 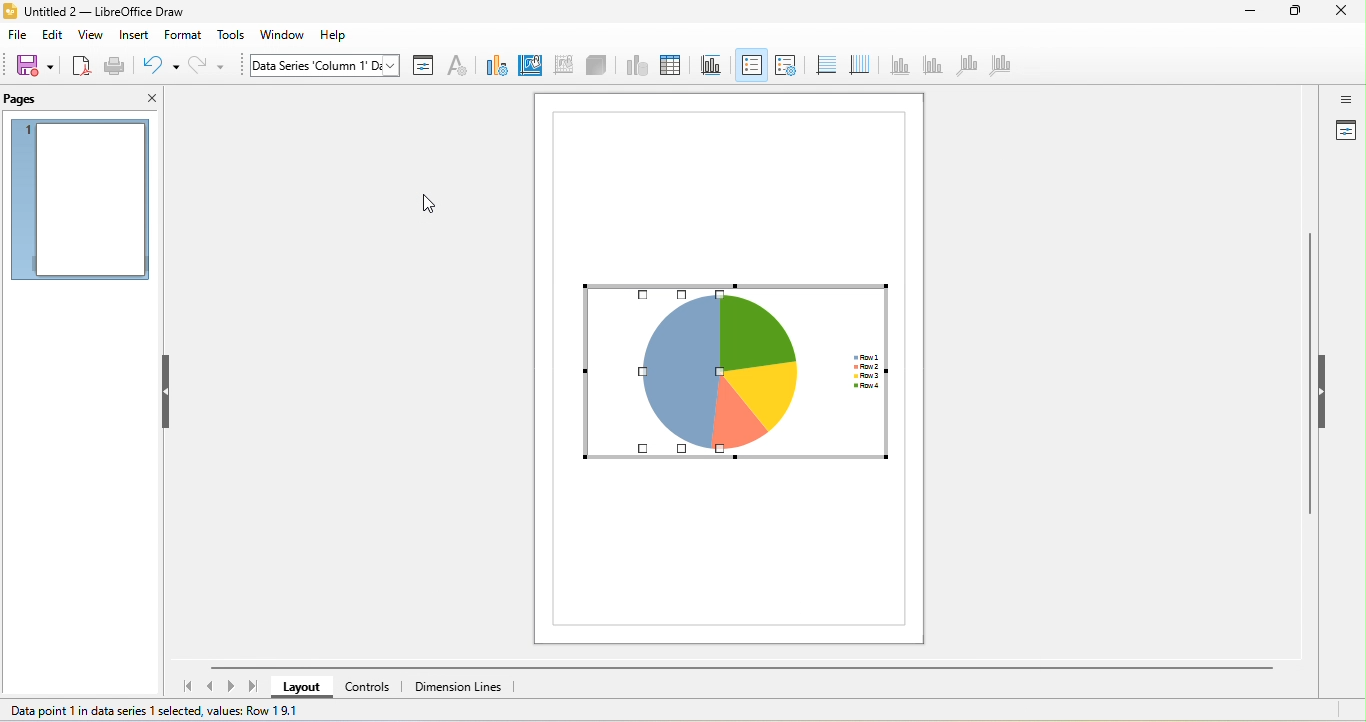 I want to click on export as pdf, so click(x=81, y=65).